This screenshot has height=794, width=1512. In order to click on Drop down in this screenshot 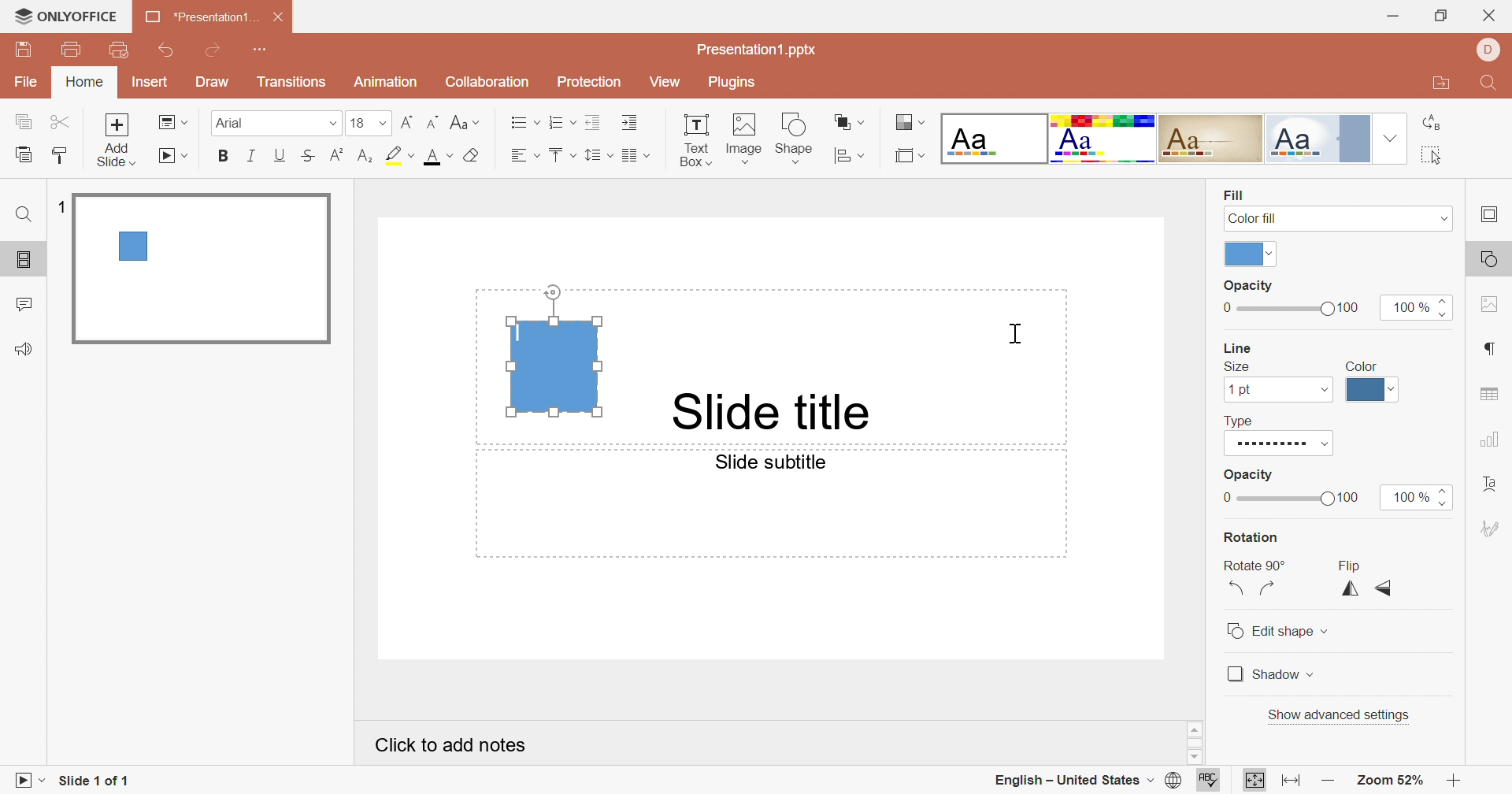, I will do `click(1328, 631)`.